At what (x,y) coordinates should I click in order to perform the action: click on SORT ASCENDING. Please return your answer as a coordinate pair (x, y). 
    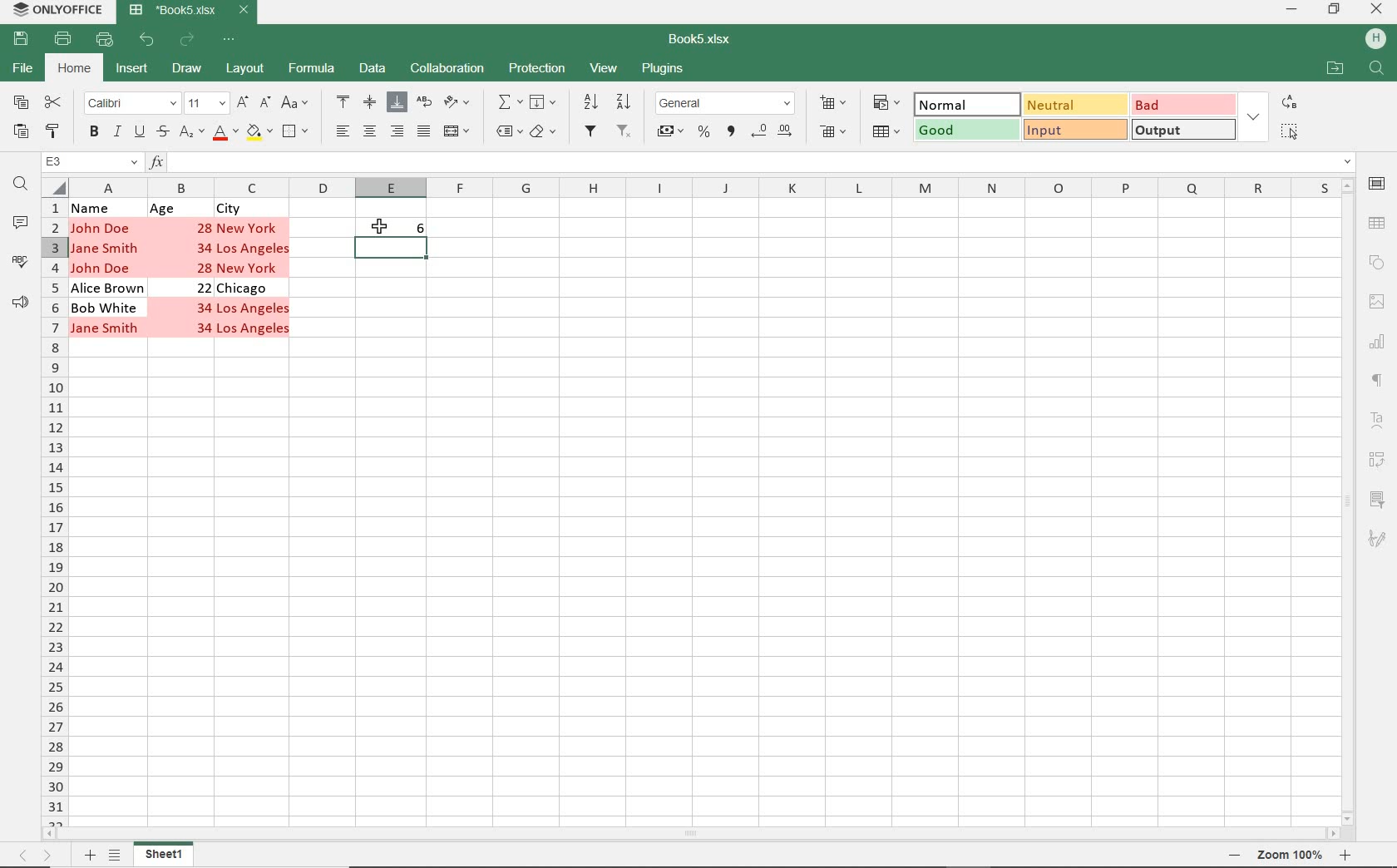
    Looking at the image, I should click on (591, 101).